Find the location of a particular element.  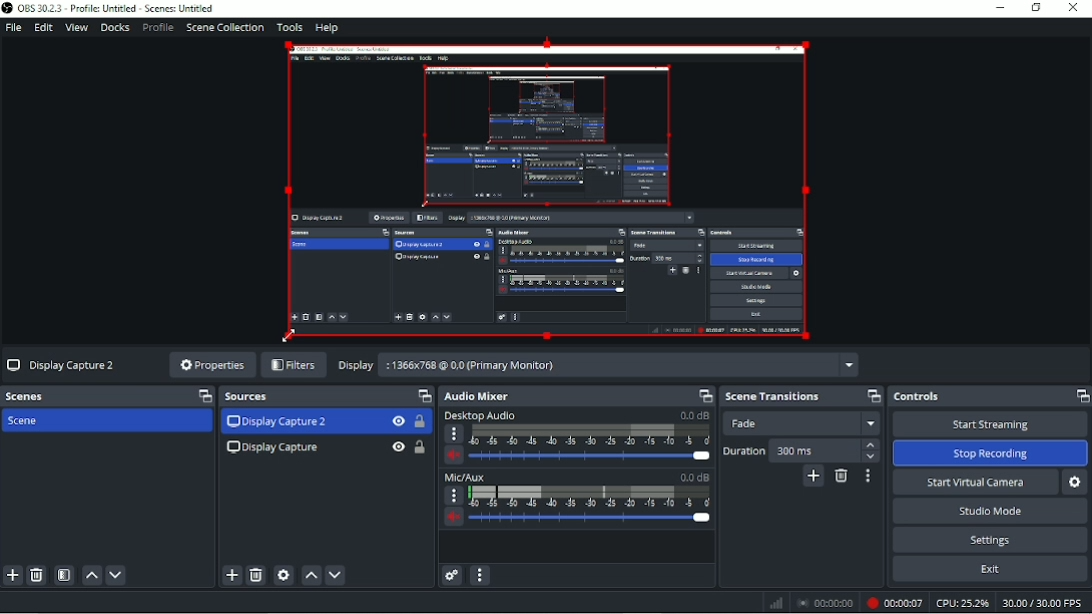

Remove selected scene is located at coordinates (37, 576).